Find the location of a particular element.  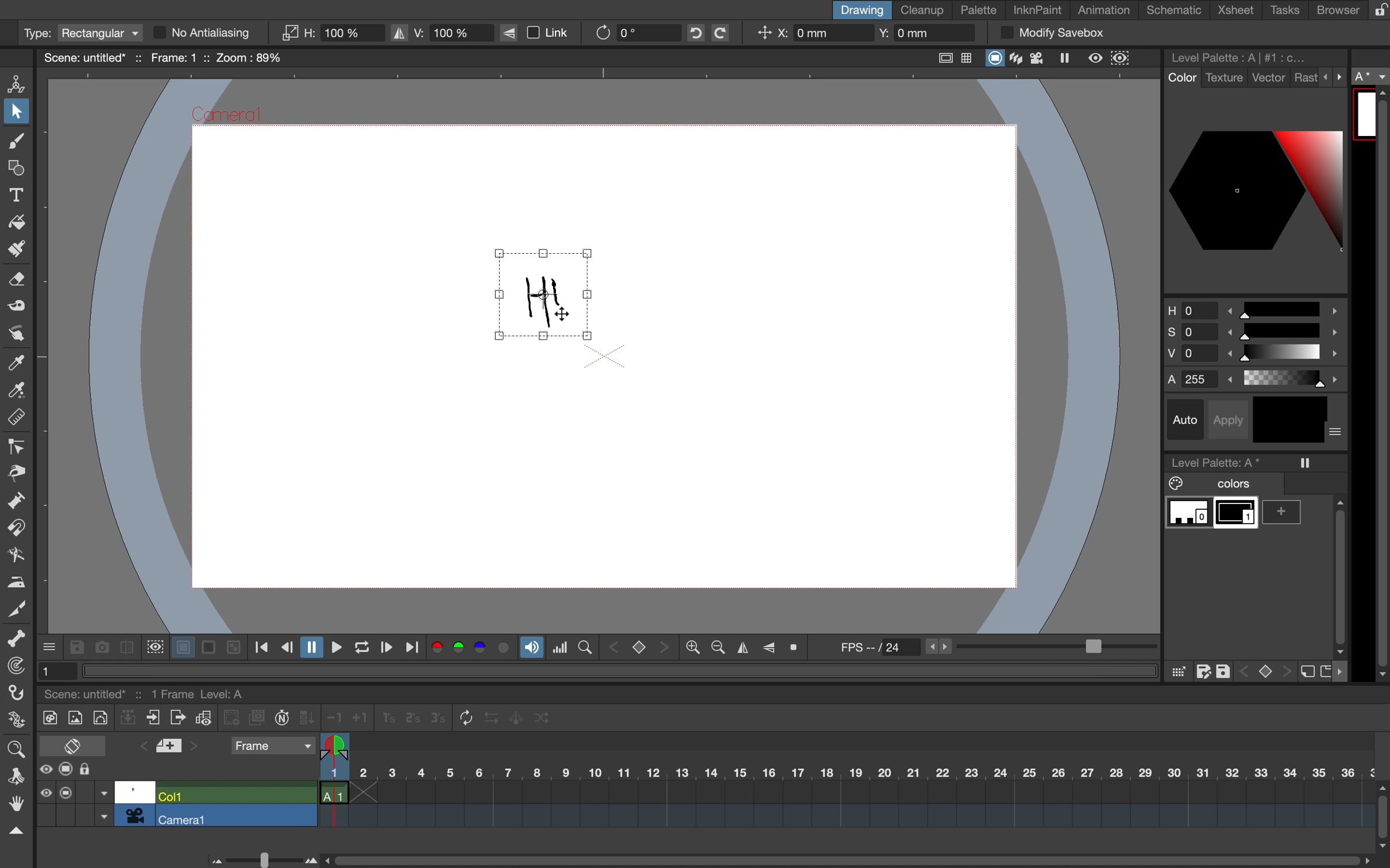

toggle edit in place is located at coordinates (203, 720).